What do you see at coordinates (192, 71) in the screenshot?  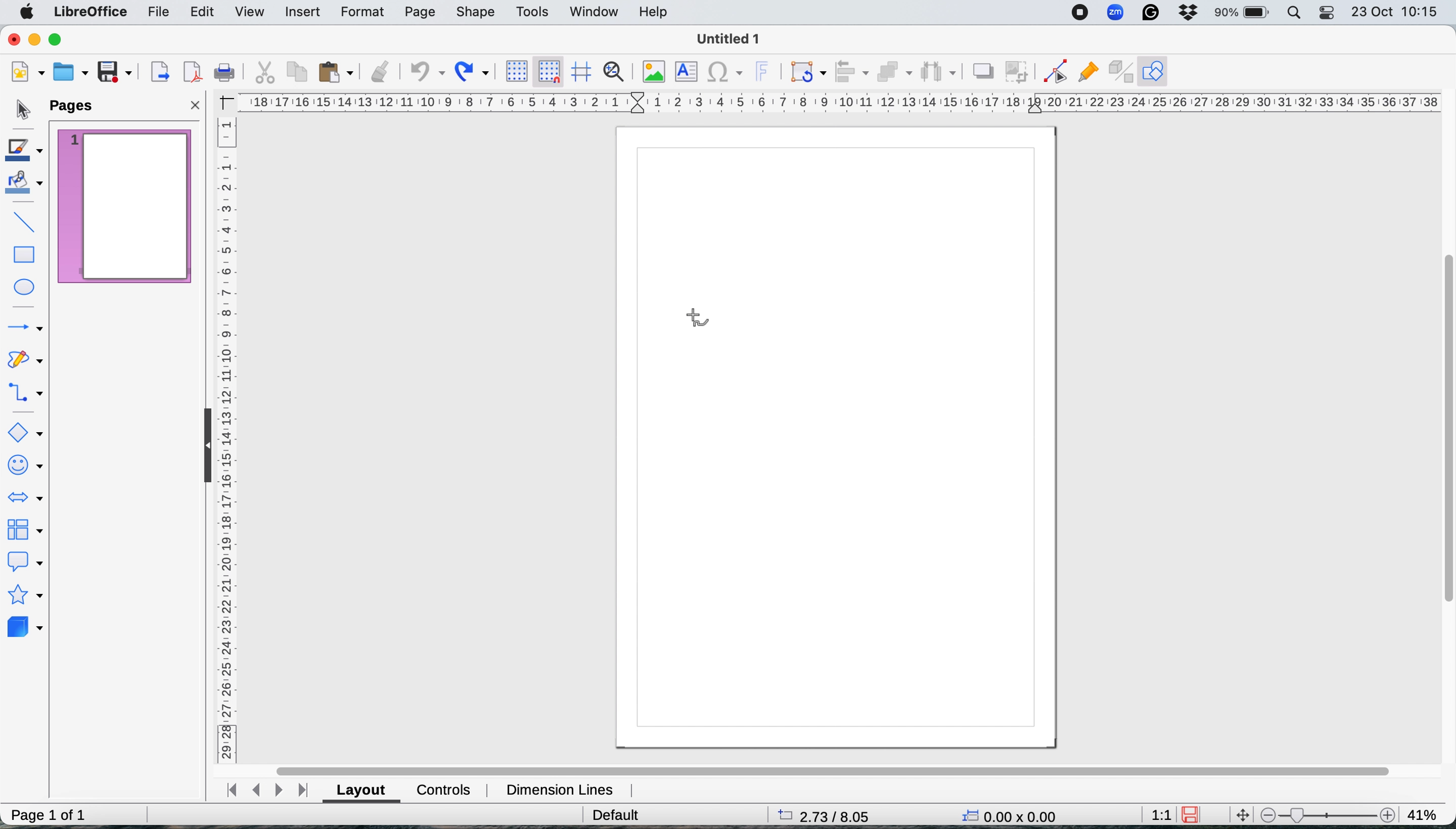 I see `export directly as pdf` at bounding box center [192, 71].